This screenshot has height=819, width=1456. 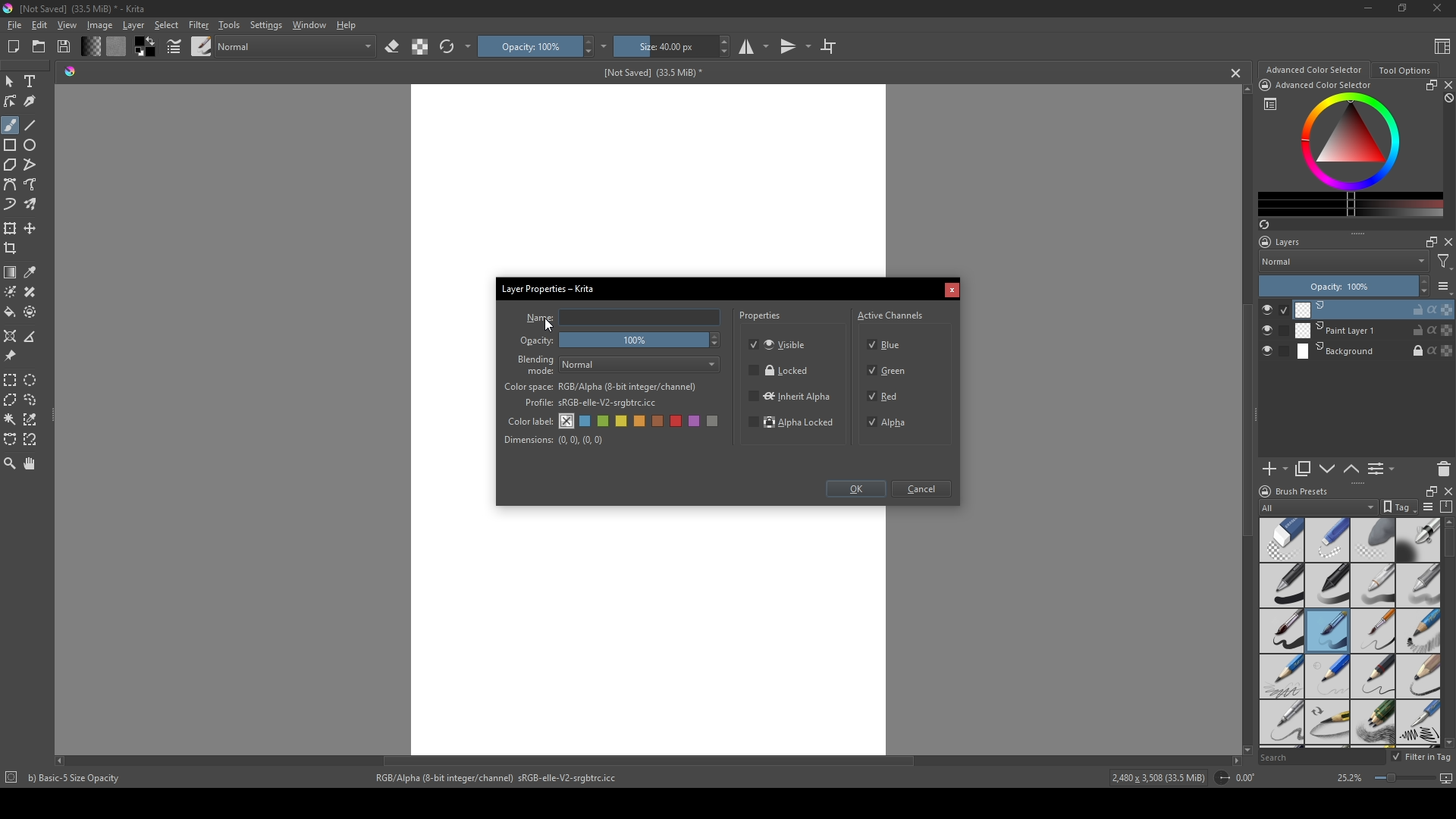 What do you see at coordinates (11, 146) in the screenshot?
I see `rectangle` at bounding box center [11, 146].